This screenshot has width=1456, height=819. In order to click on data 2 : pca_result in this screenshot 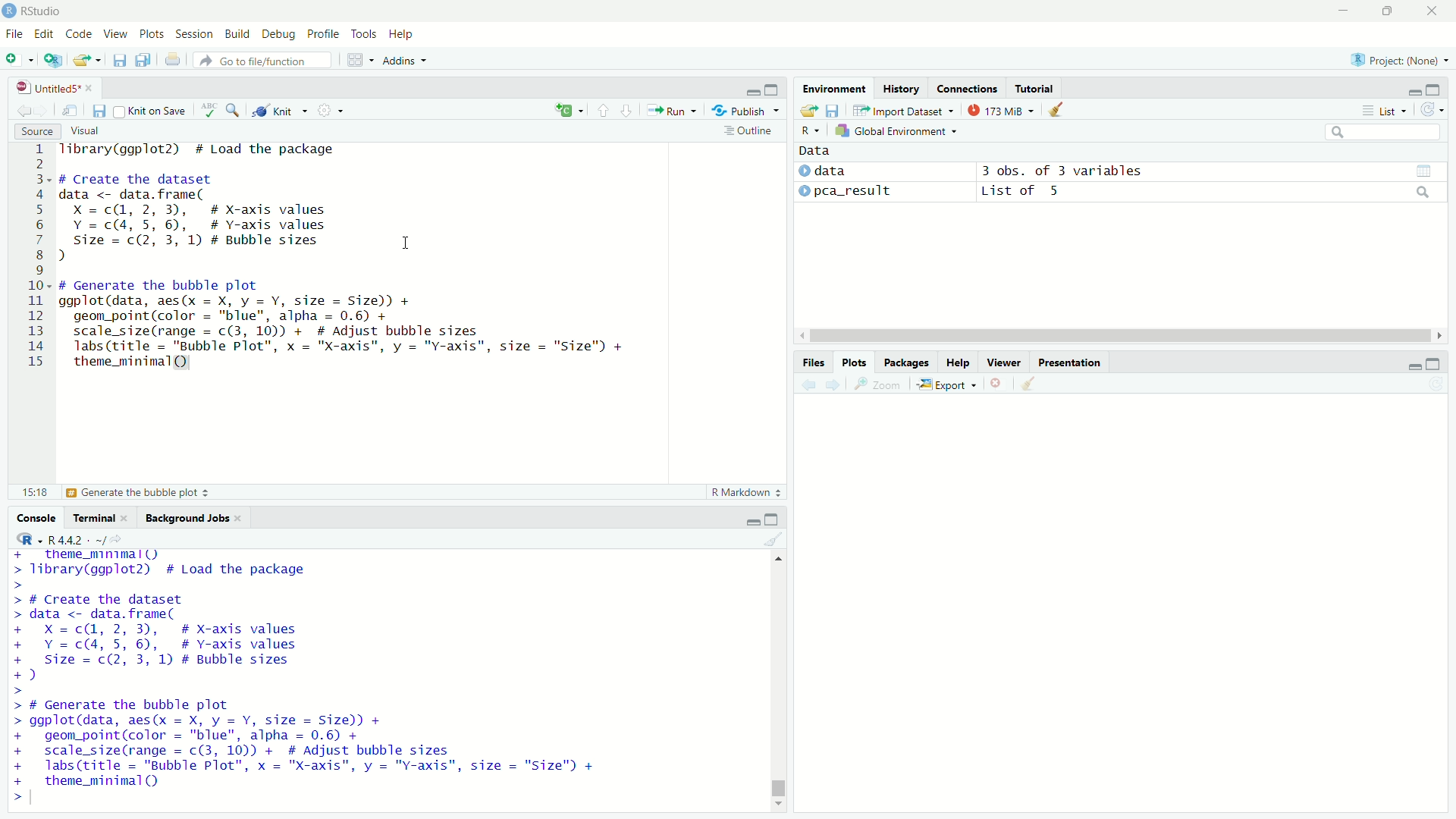, I will do `click(847, 190)`.